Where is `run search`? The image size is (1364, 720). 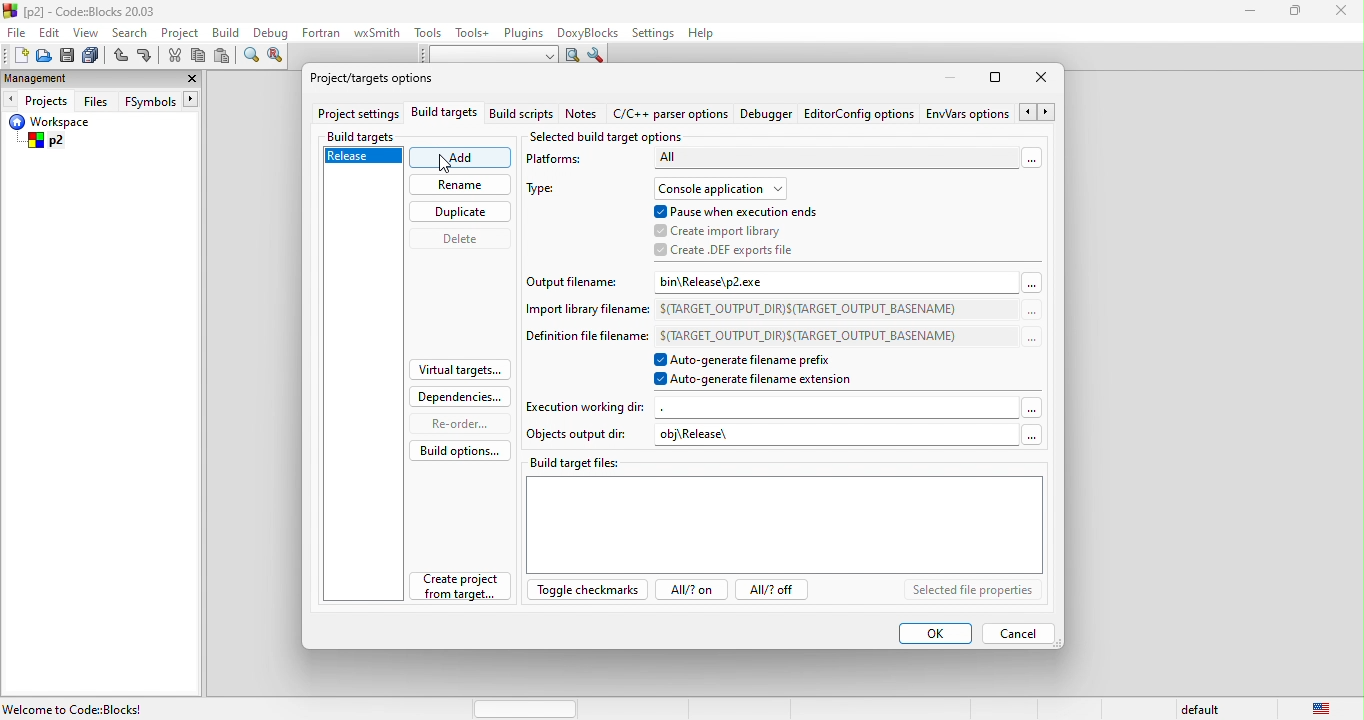
run search is located at coordinates (571, 55).